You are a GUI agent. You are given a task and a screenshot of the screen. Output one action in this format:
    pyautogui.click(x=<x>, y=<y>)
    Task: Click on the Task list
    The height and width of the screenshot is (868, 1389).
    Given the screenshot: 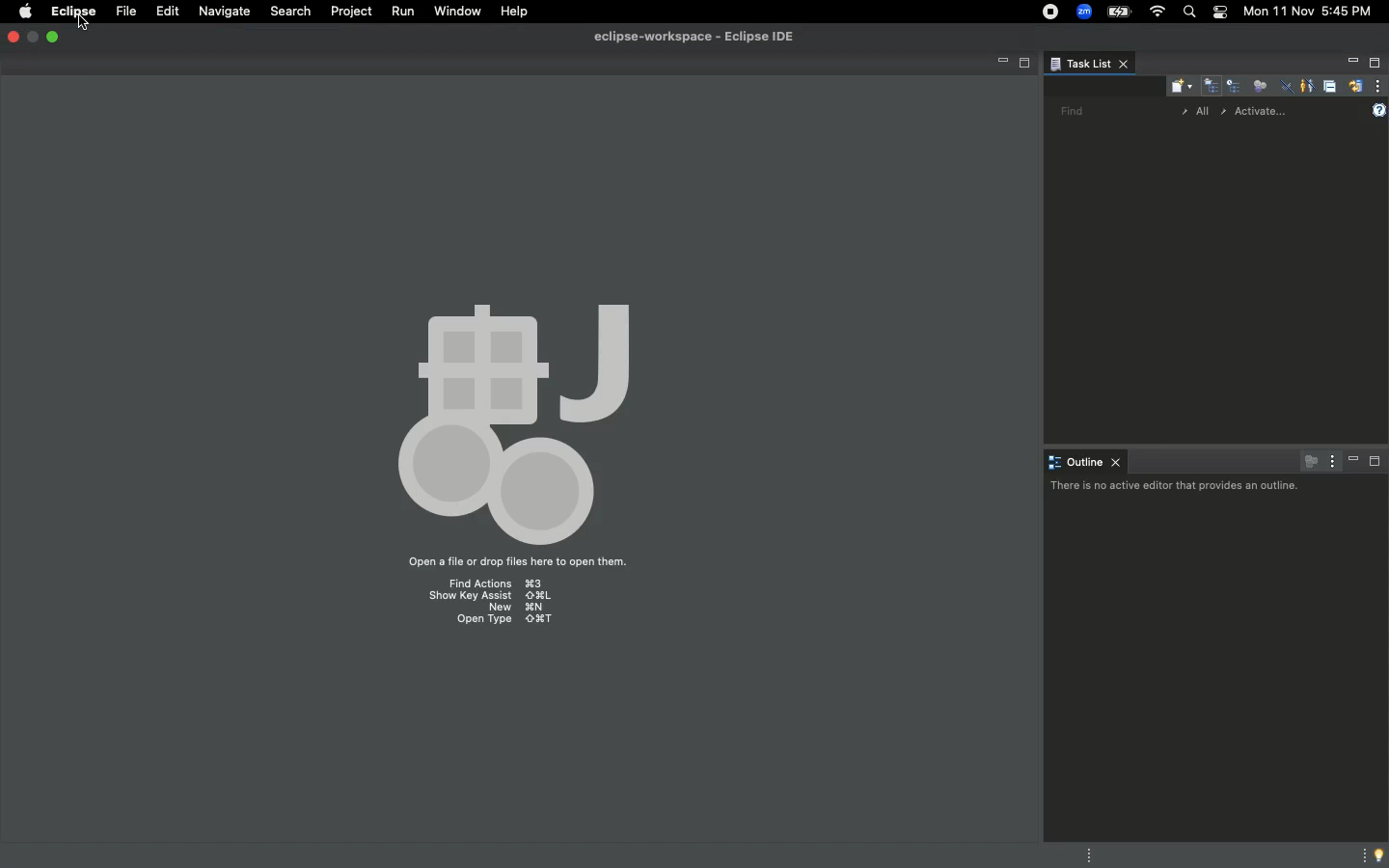 What is the action you would take?
    pyautogui.click(x=1088, y=64)
    